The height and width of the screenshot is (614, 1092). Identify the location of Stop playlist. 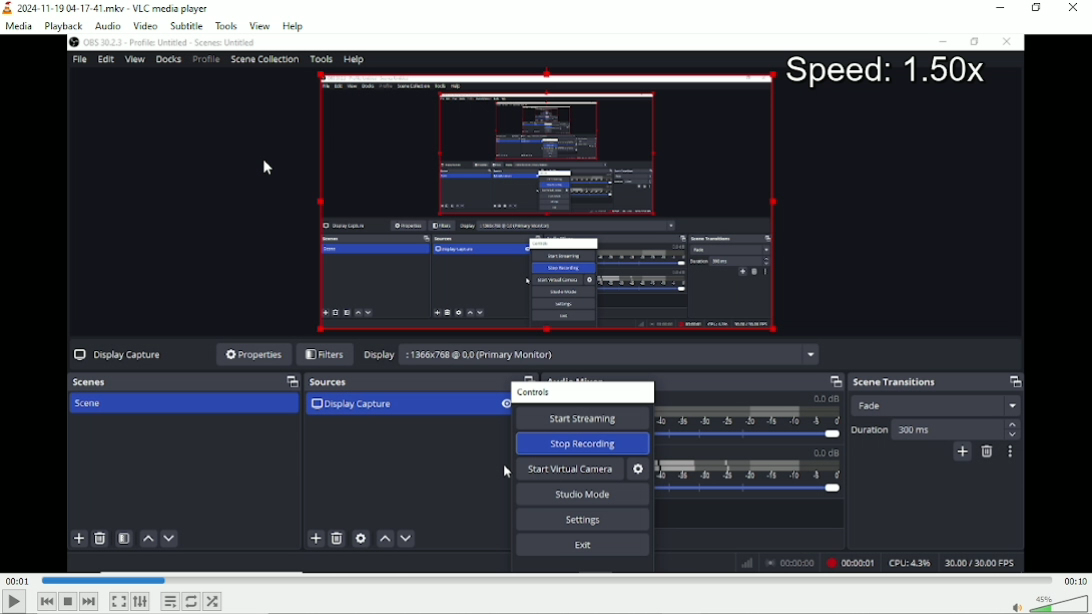
(68, 601).